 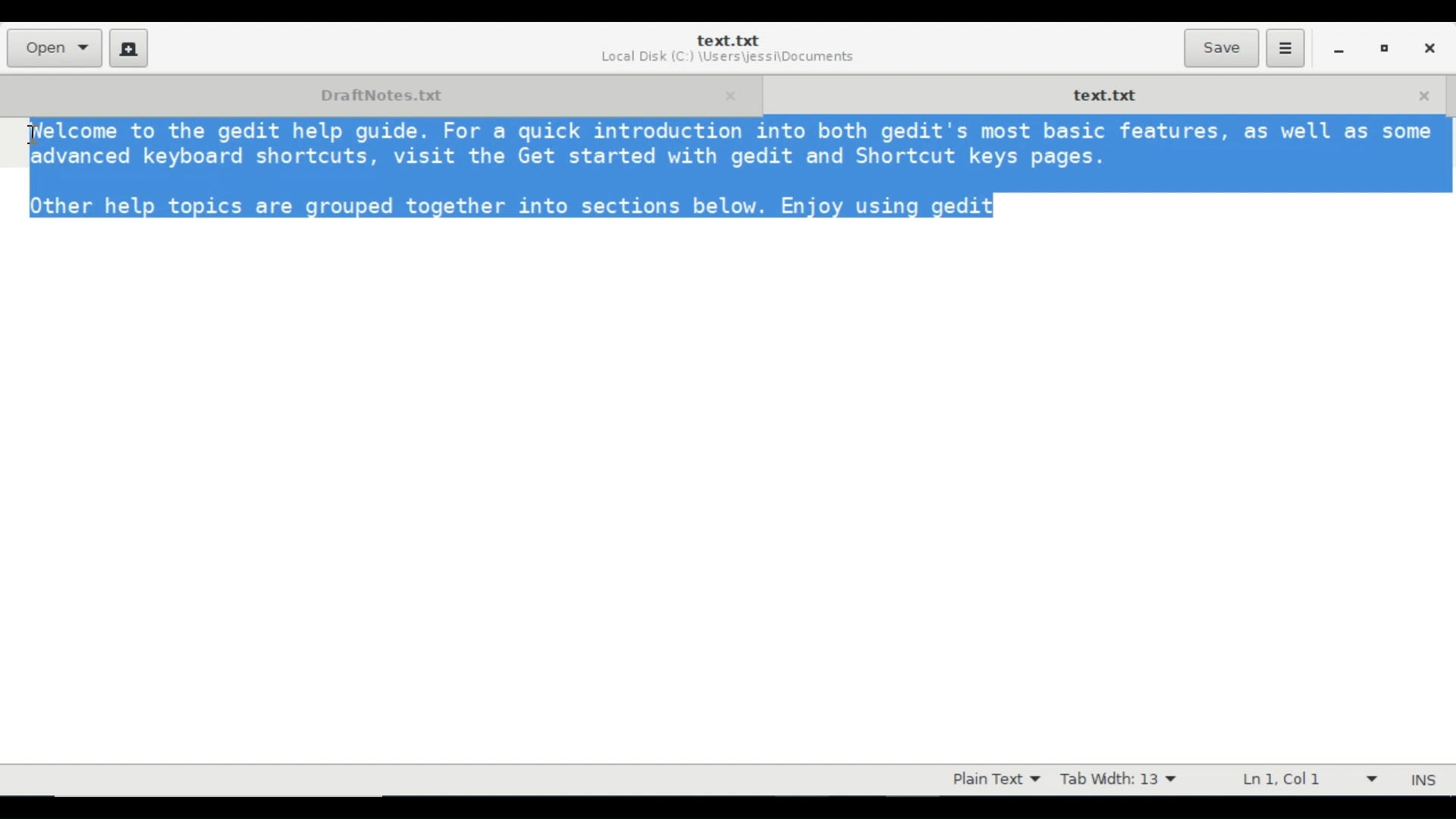 I want to click on Document path, so click(x=726, y=59).